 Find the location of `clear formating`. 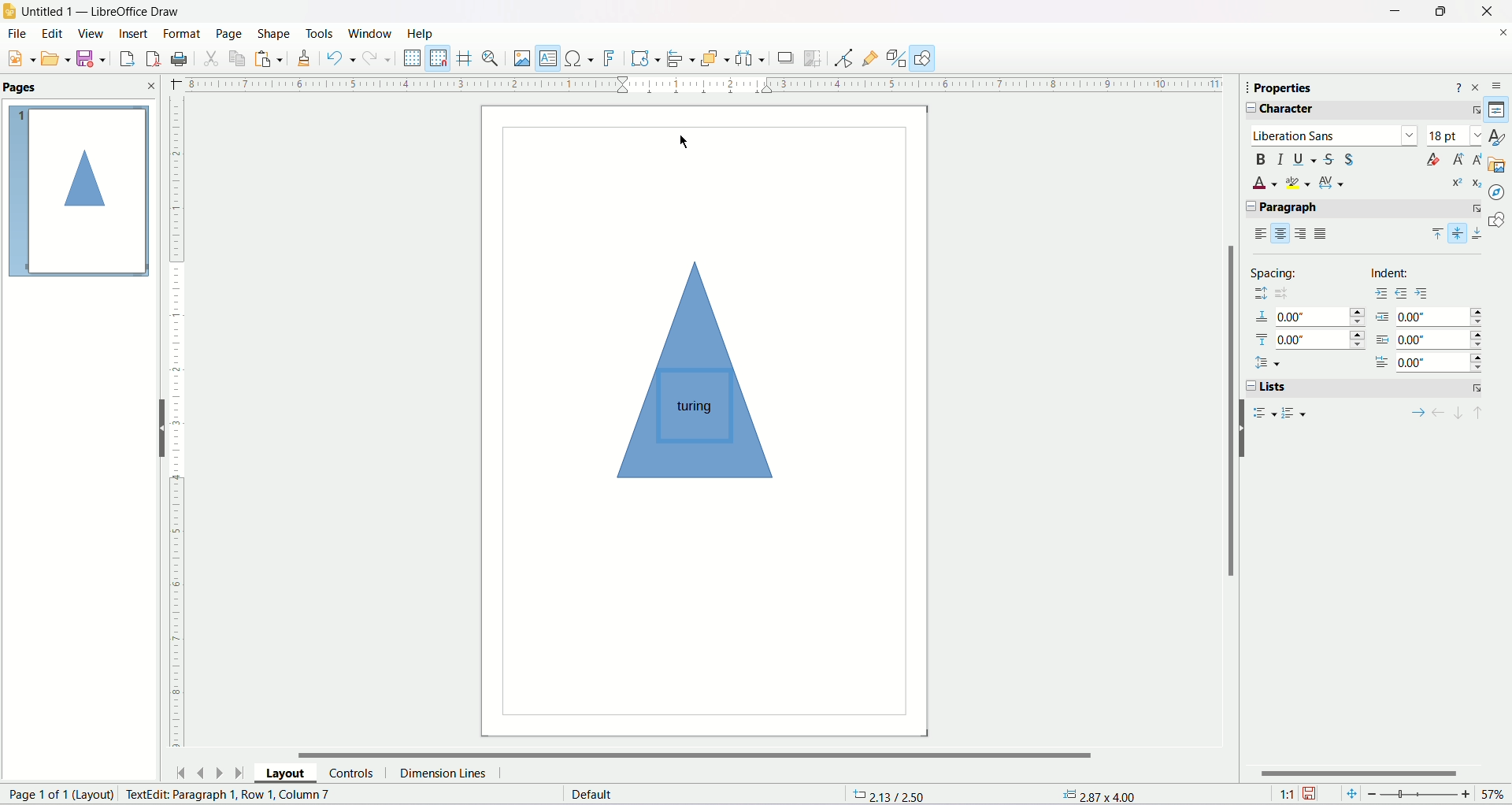

clear formating is located at coordinates (1433, 159).